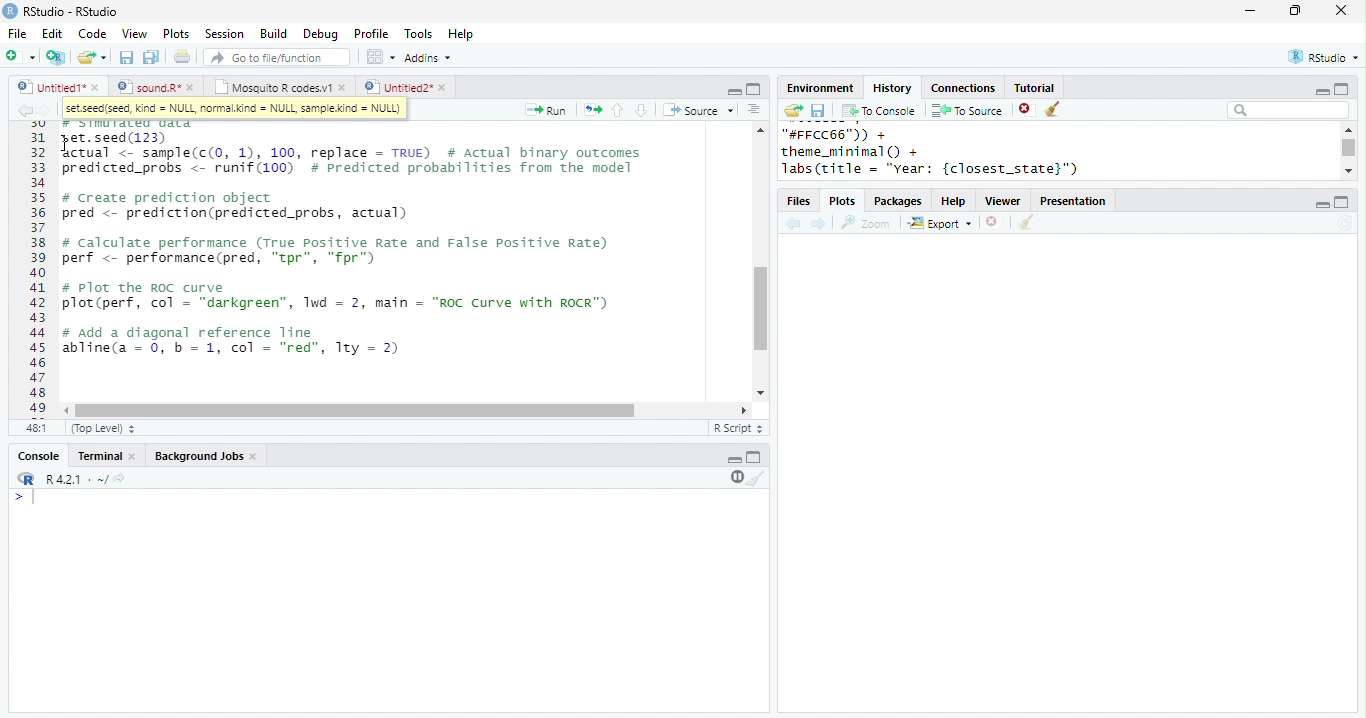 The height and width of the screenshot is (718, 1366). I want to click on scroll bar, so click(761, 309).